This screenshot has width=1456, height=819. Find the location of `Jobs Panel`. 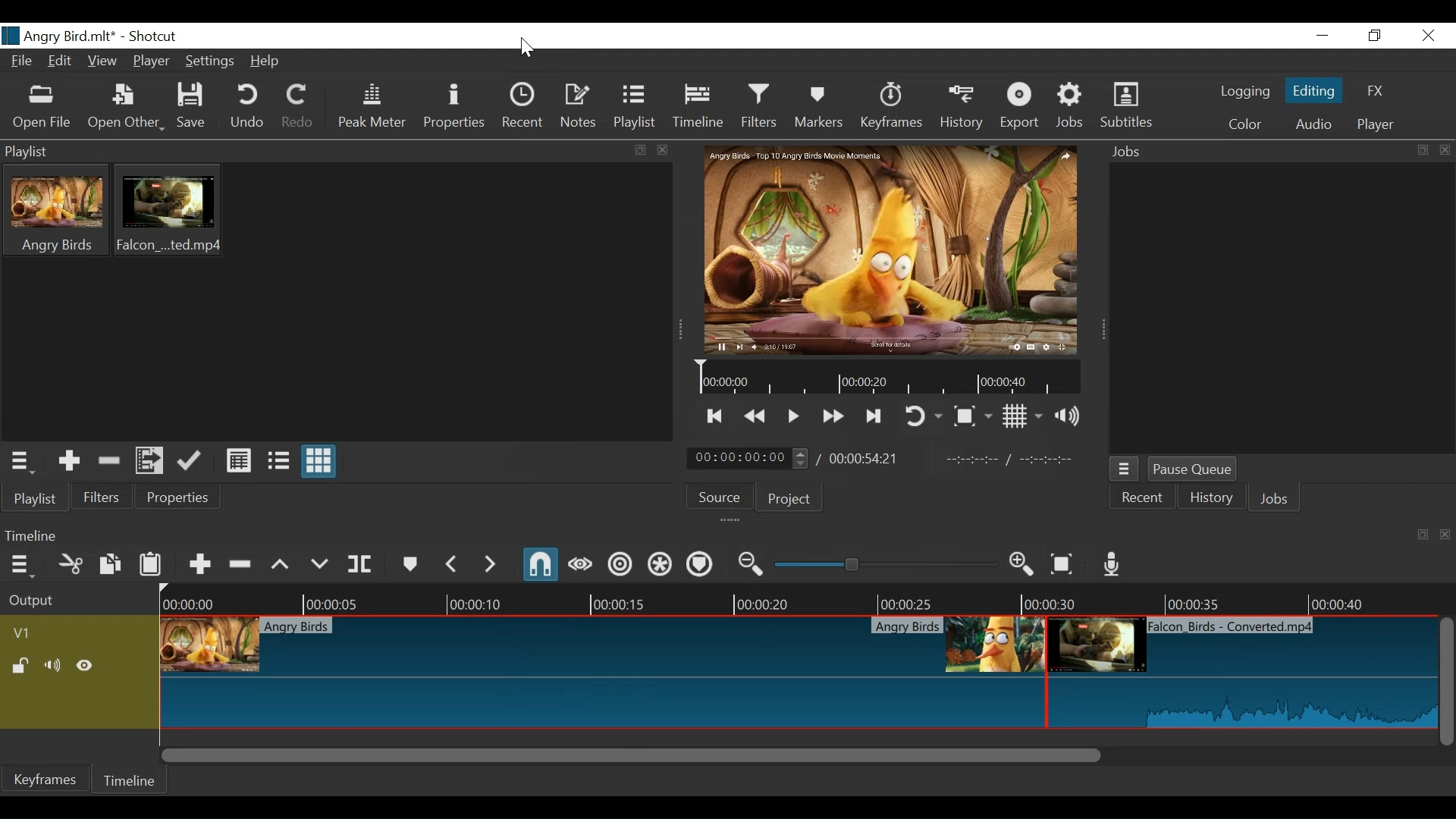

Jobs Panel is located at coordinates (1284, 311).